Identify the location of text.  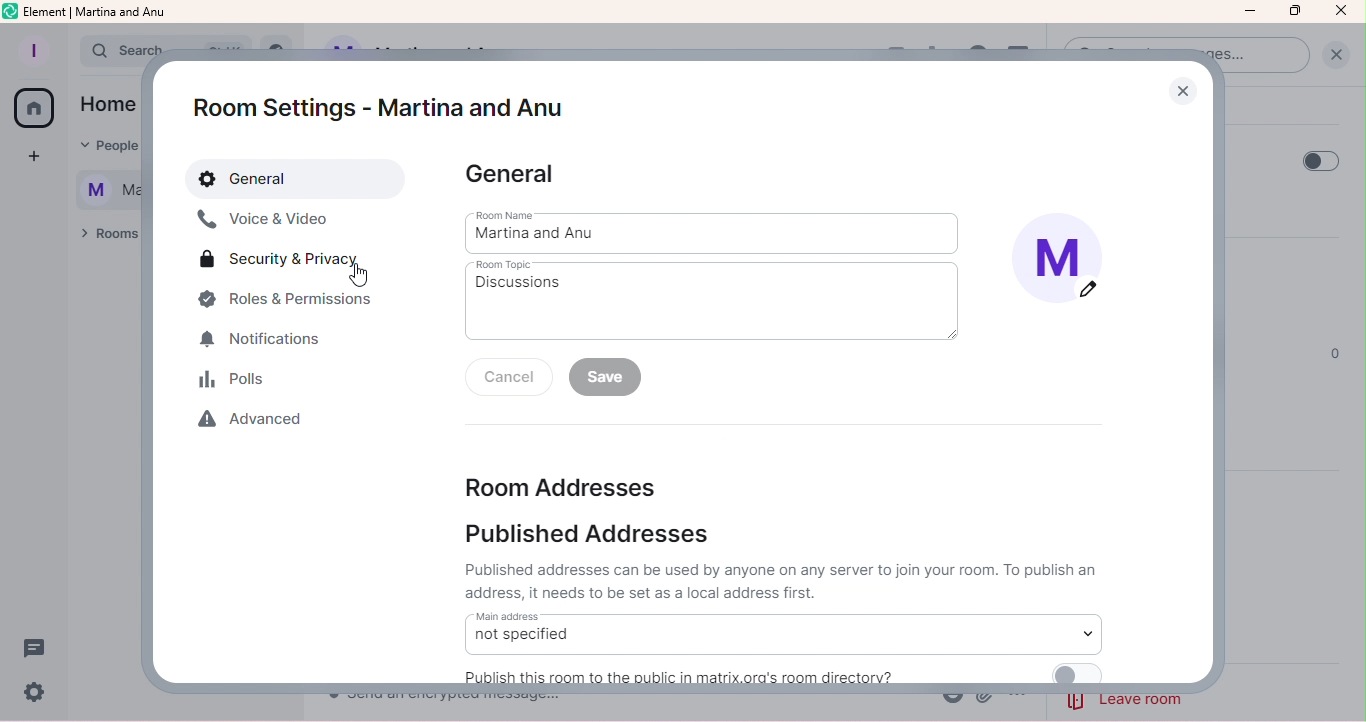
(115, 167).